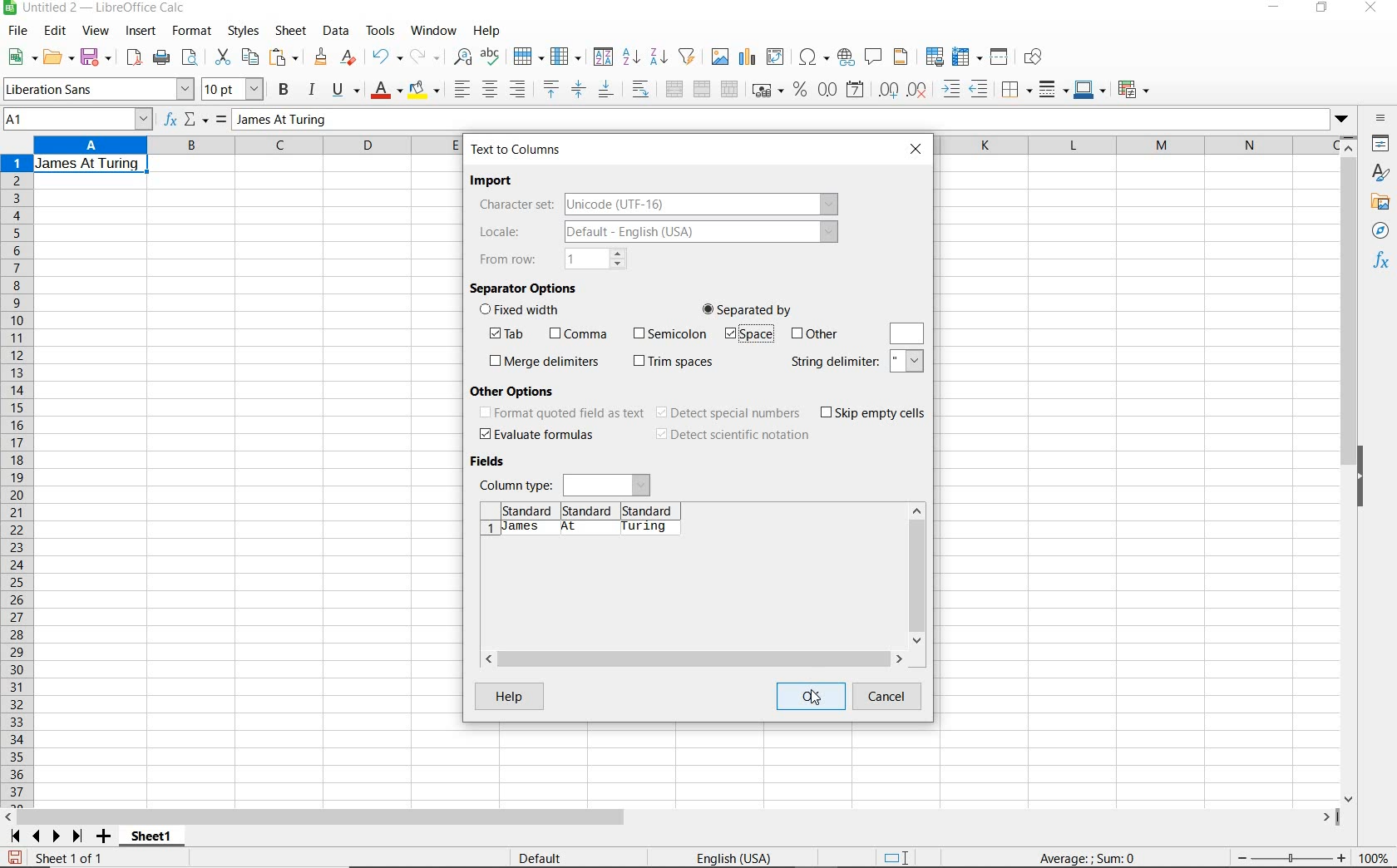  What do you see at coordinates (730, 88) in the screenshot?
I see `unmerge cells` at bounding box center [730, 88].